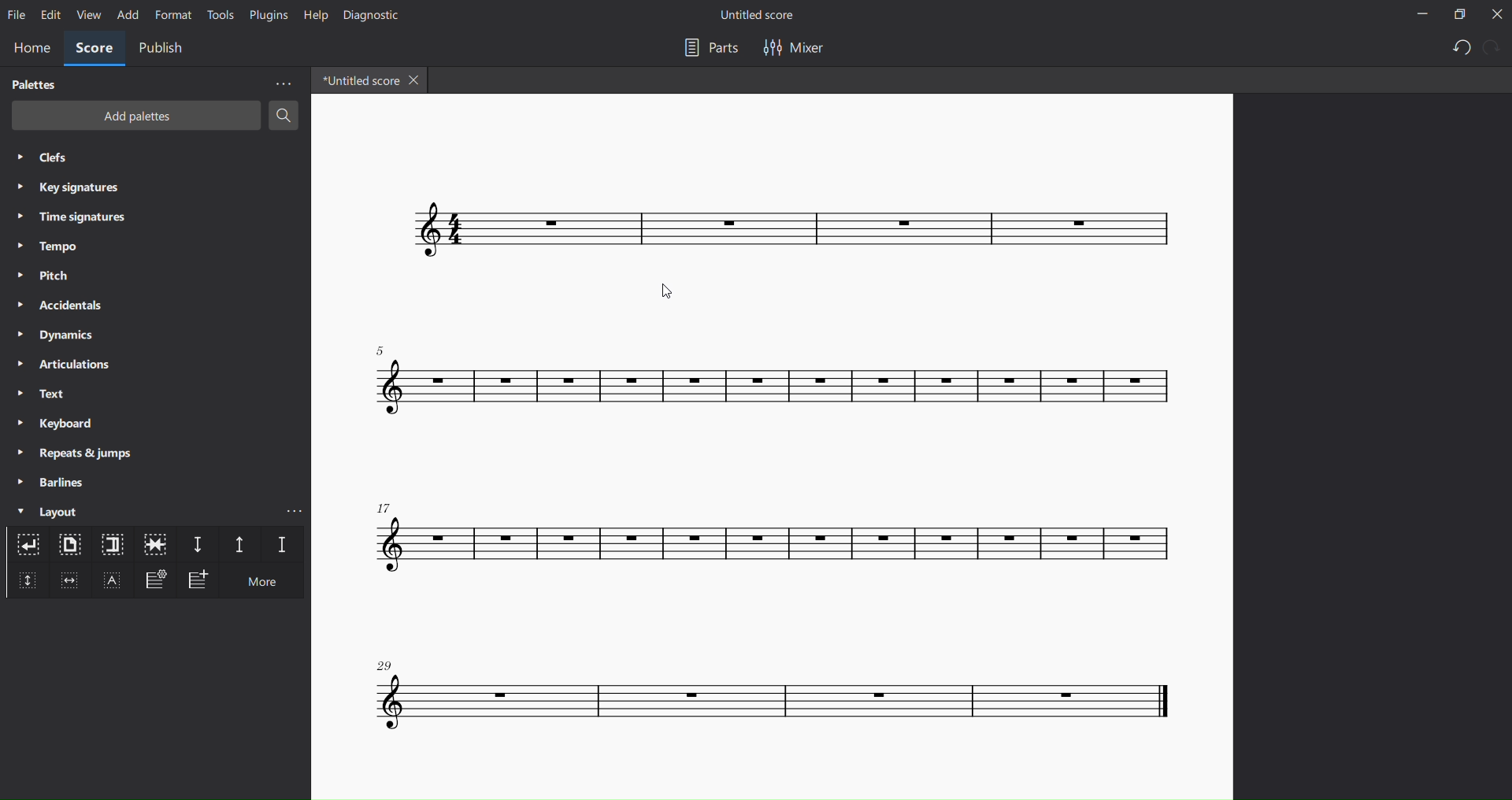  I want to click on accidentals, so click(57, 304).